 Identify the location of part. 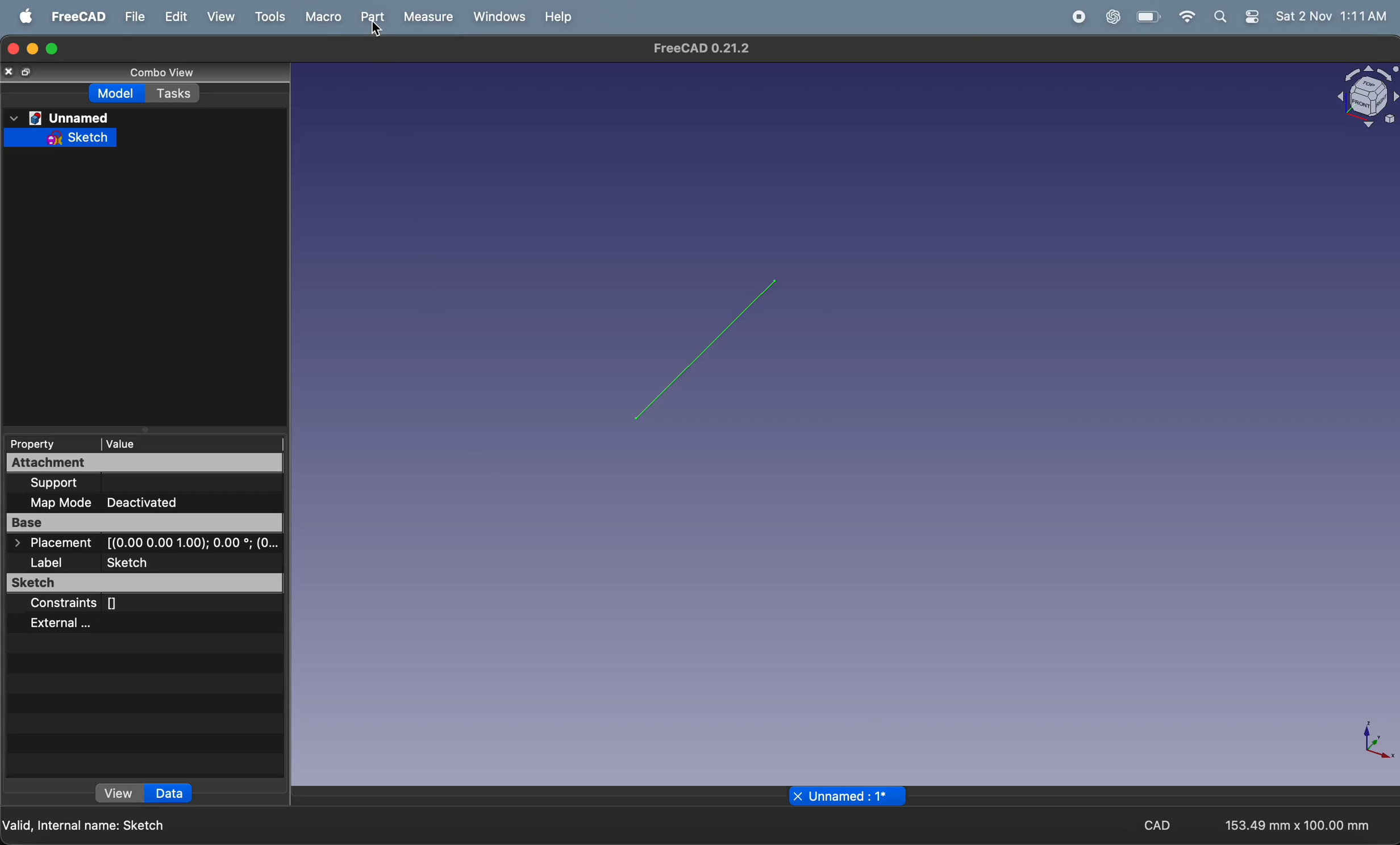
(371, 18).